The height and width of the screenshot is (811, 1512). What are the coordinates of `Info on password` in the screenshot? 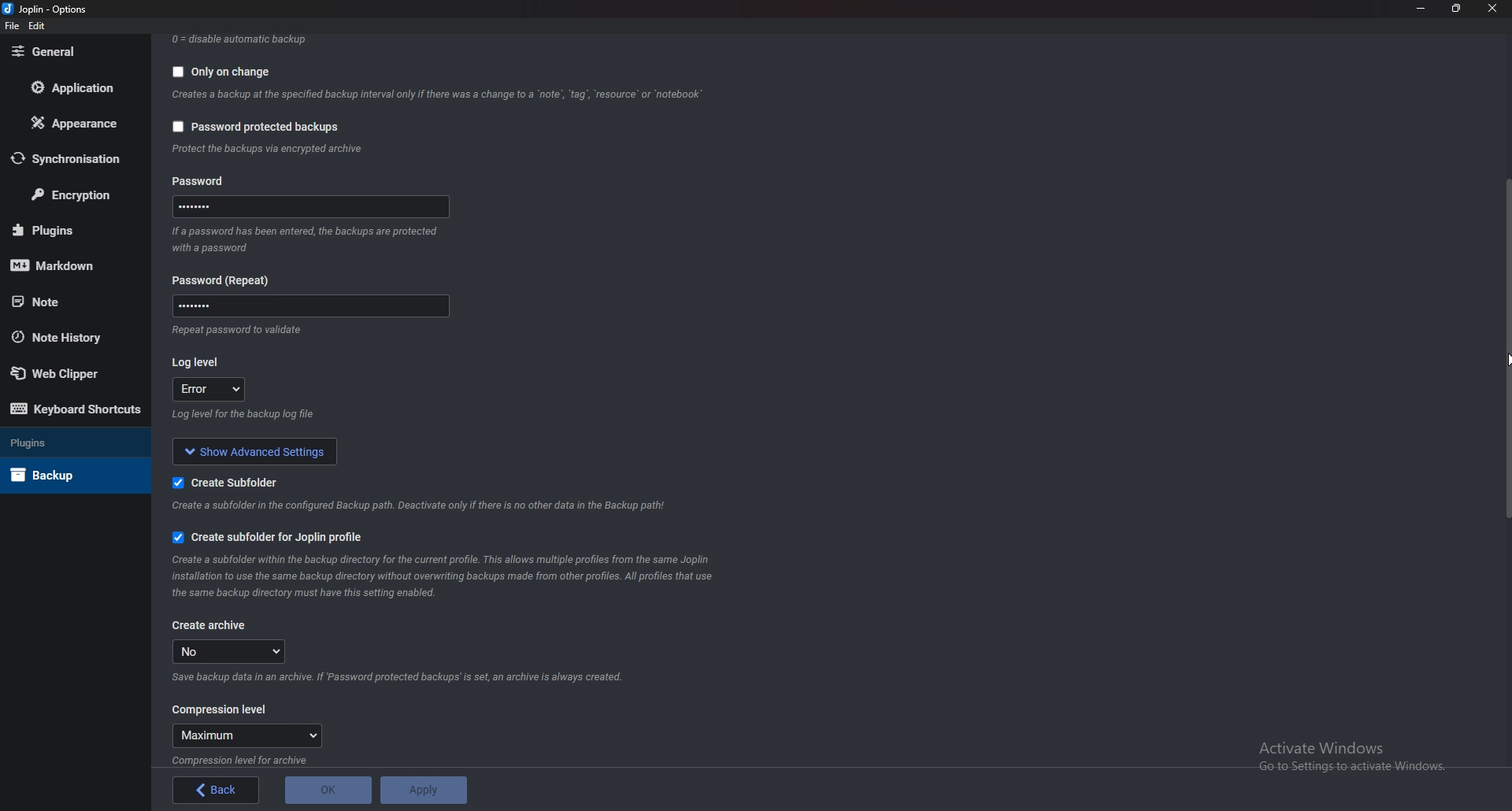 It's located at (308, 243).